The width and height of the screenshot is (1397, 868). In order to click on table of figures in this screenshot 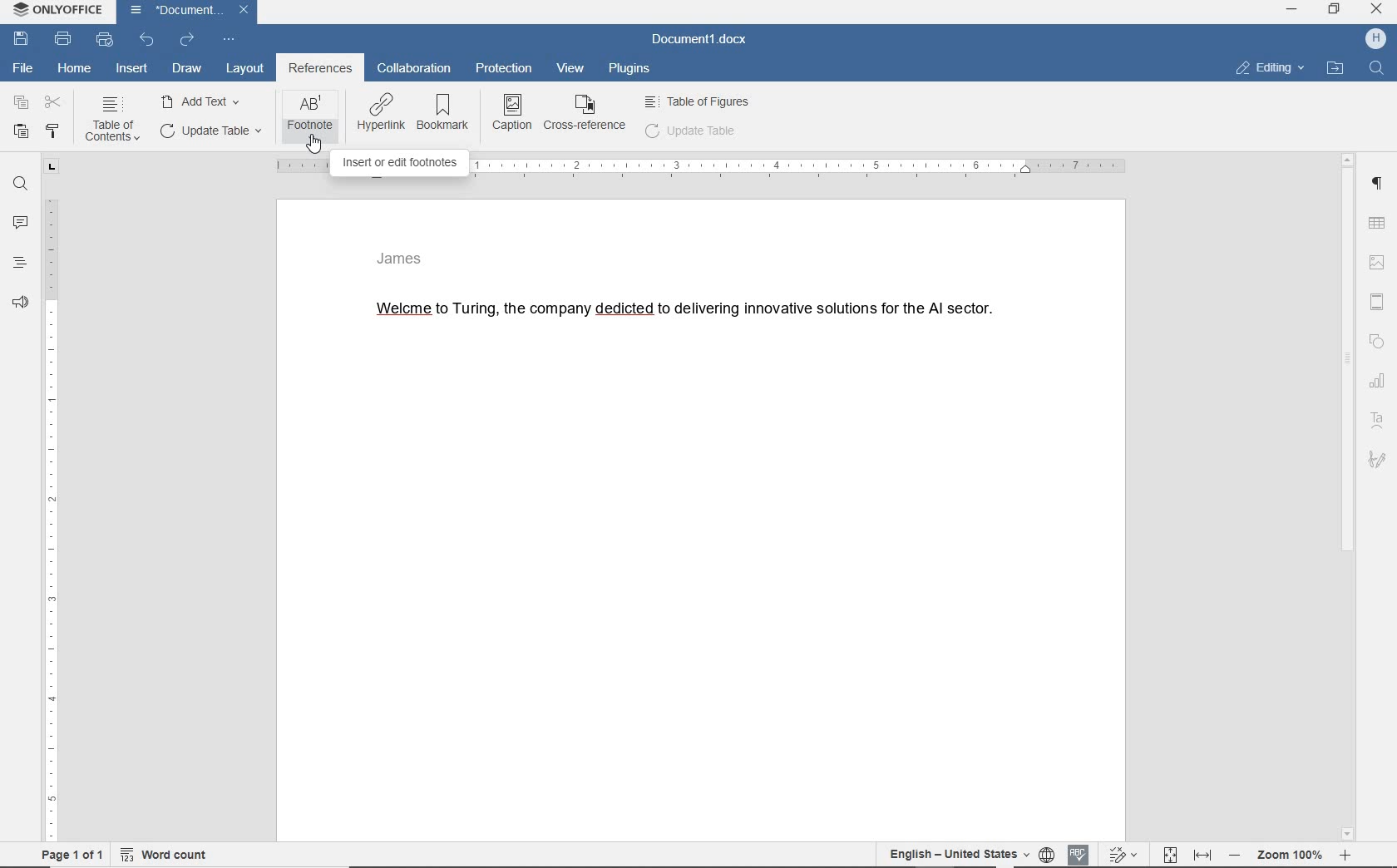, I will do `click(699, 101)`.